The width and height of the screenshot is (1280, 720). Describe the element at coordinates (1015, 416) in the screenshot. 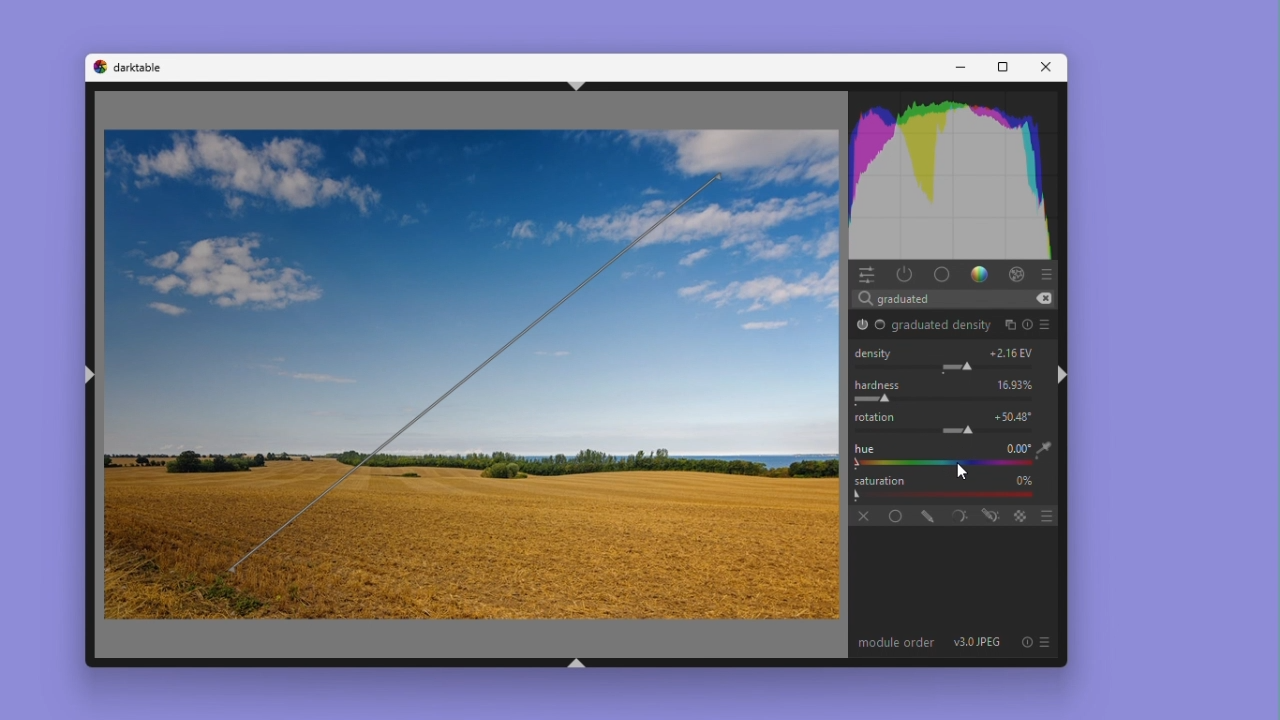

I see `+0.00` at that location.